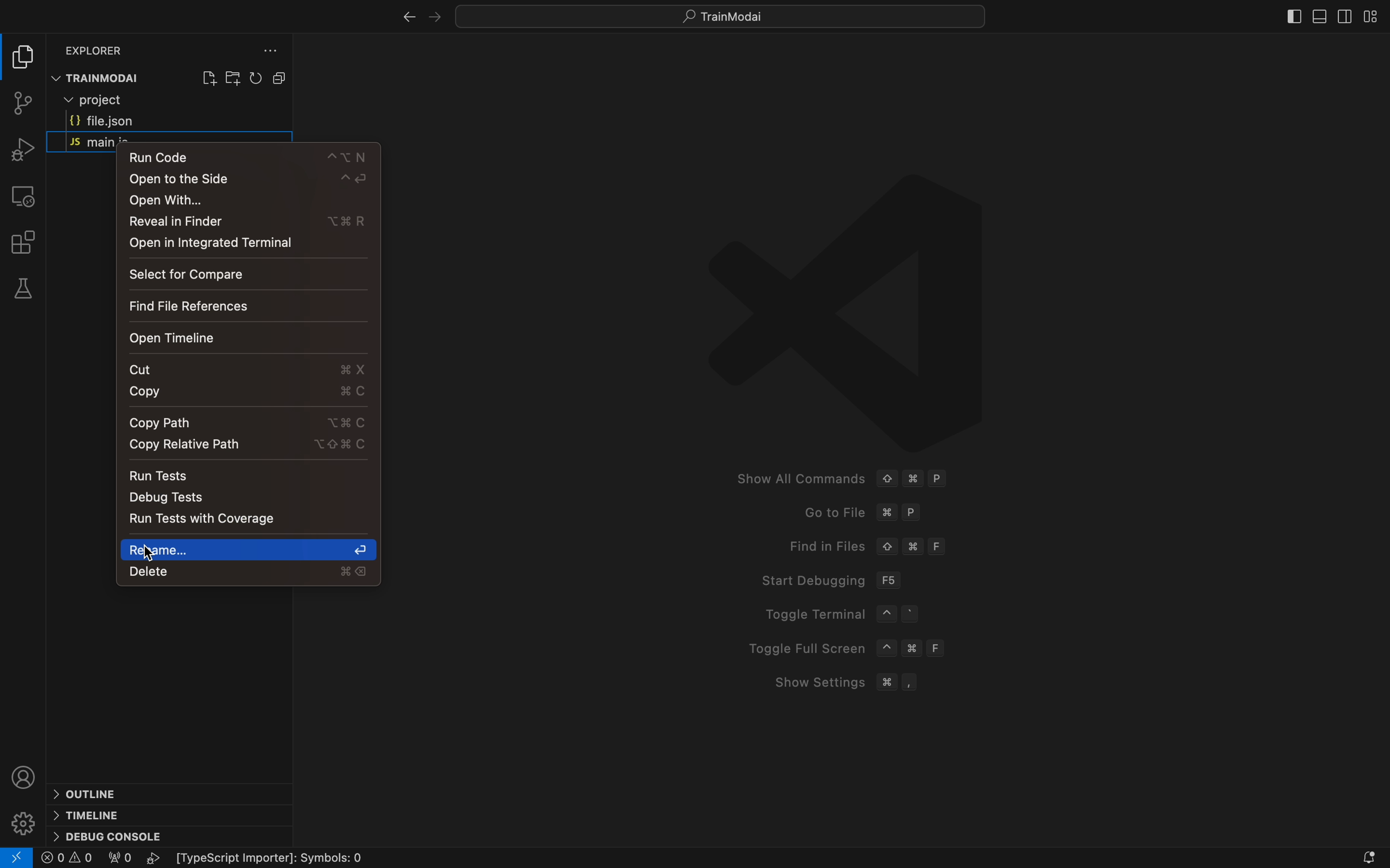 The height and width of the screenshot is (868, 1390). Describe the element at coordinates (68, 858) in the screenshot. I see `error logs` at that location.